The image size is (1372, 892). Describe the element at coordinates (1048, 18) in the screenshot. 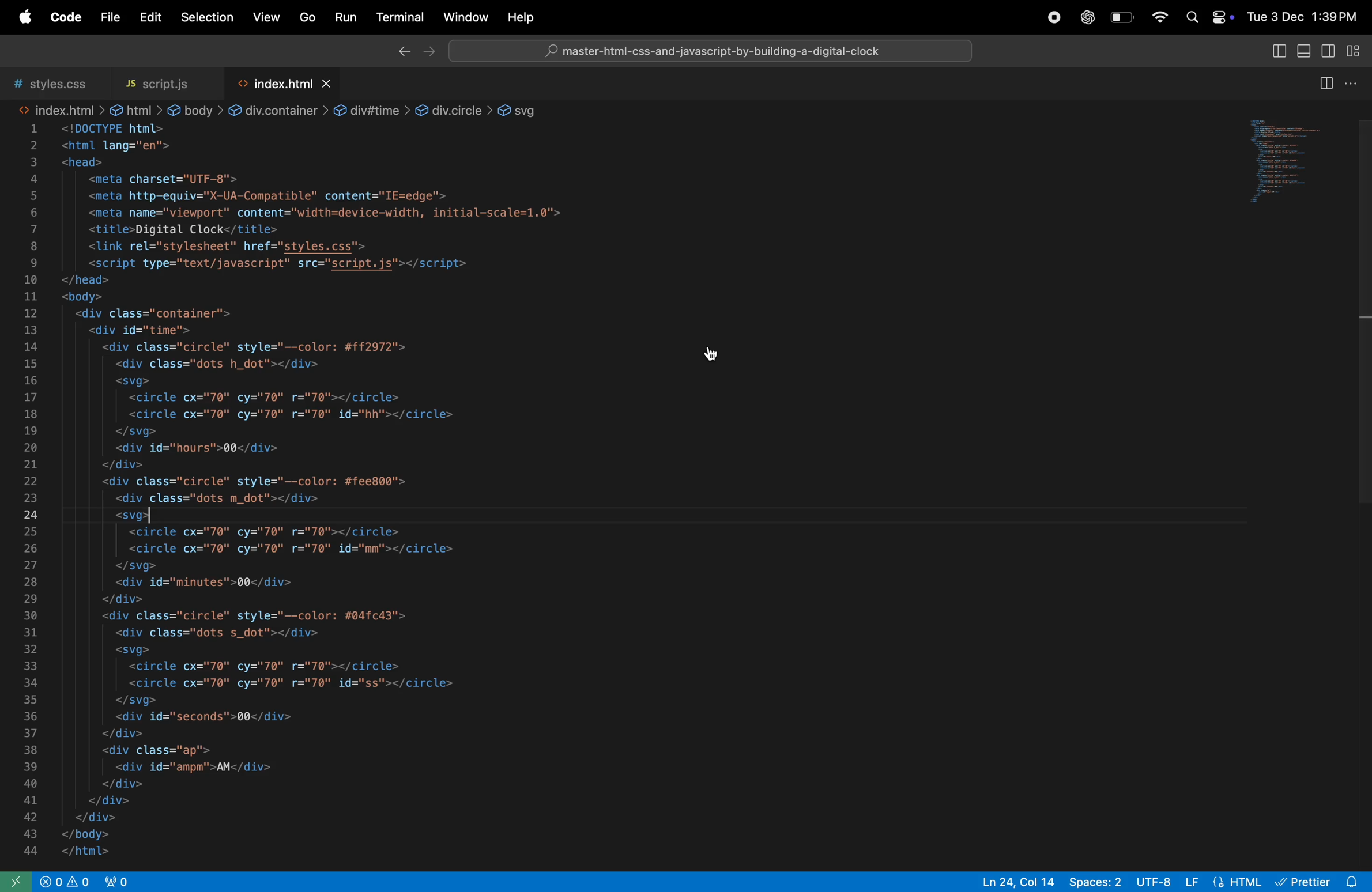

I see `record` at that location.